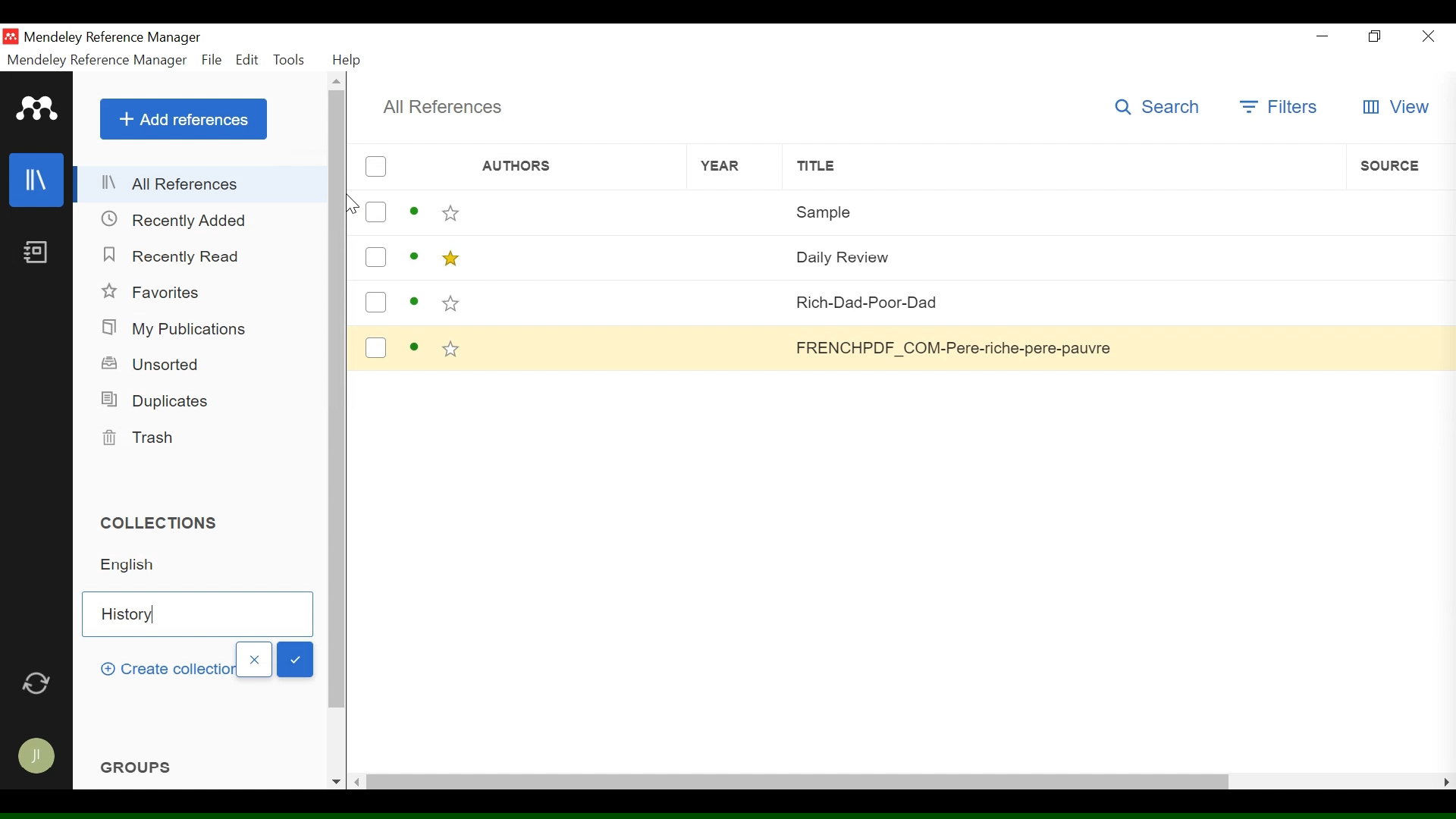  I want to click on Help, so click(347, 61).